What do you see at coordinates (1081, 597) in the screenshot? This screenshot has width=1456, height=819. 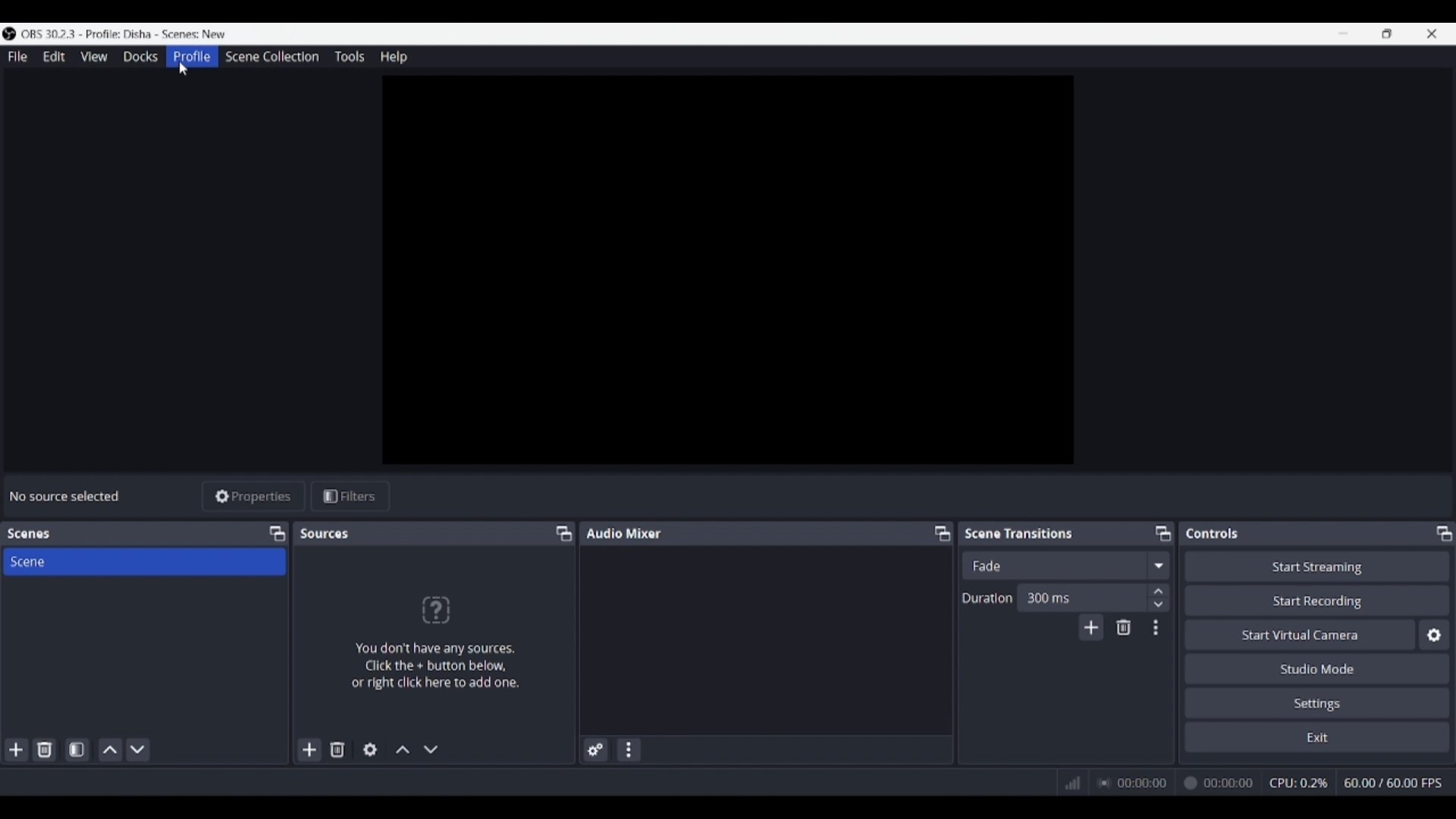 I see `Input duration` at bounding box center [1081, 597].